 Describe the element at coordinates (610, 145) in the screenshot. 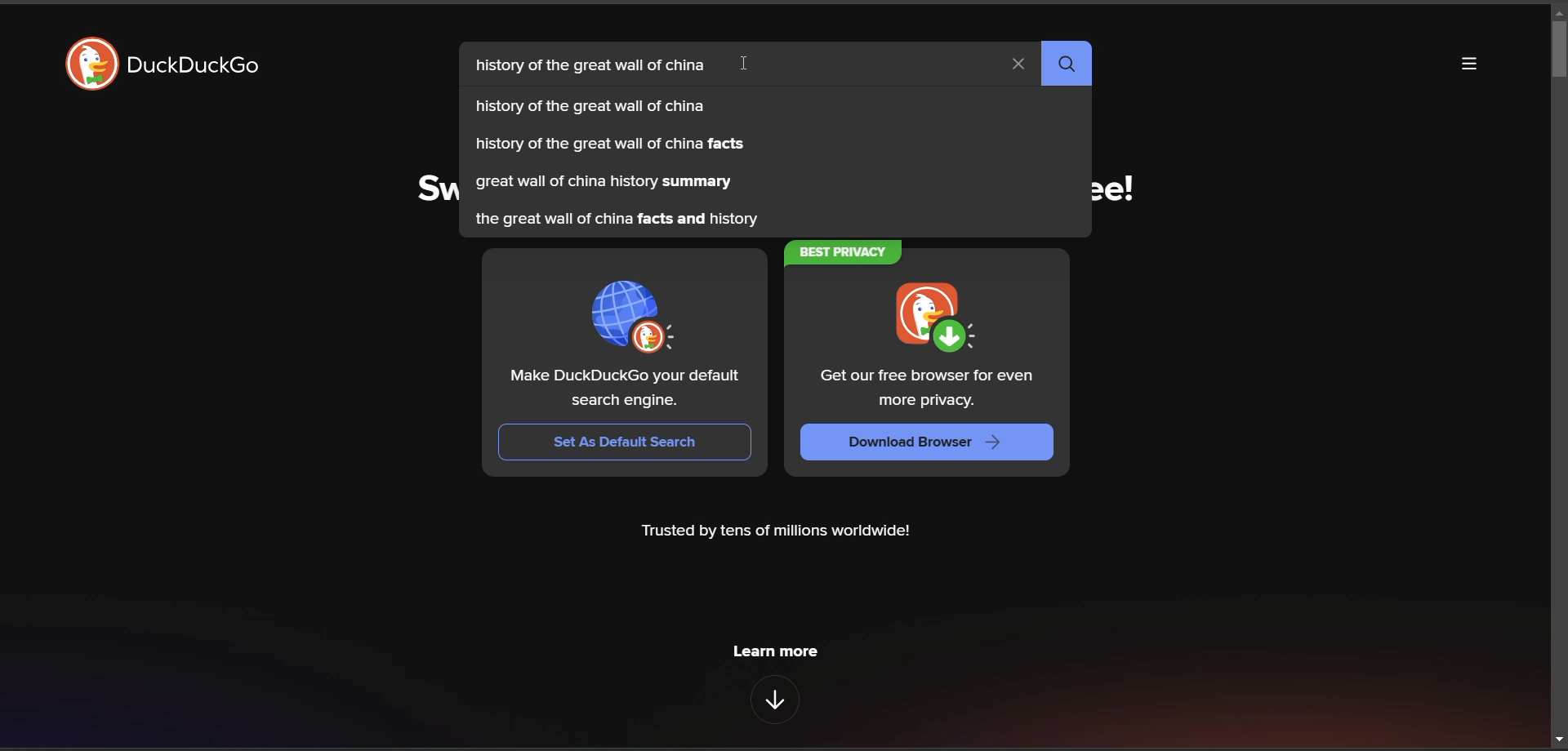

I see `history of the great wall of china facts` at that location.